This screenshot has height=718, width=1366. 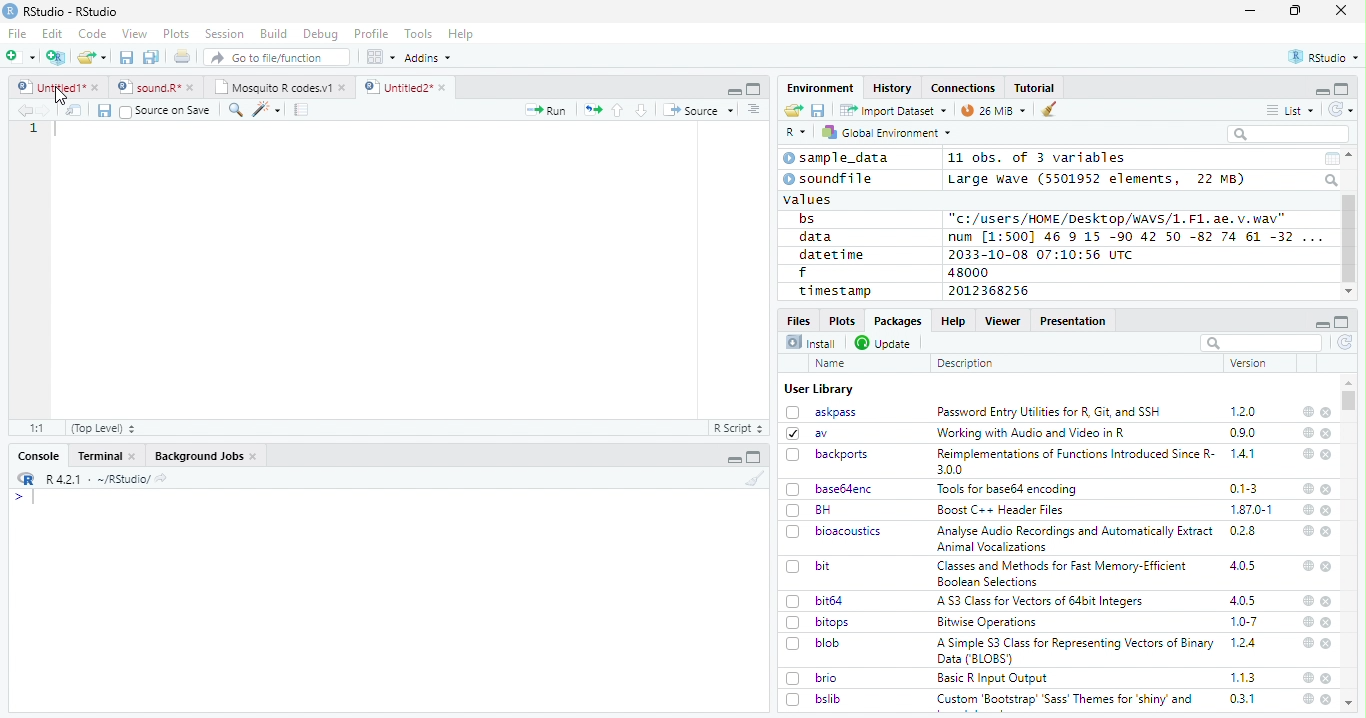 I want to click on 48000, so click(x=966, y=272).